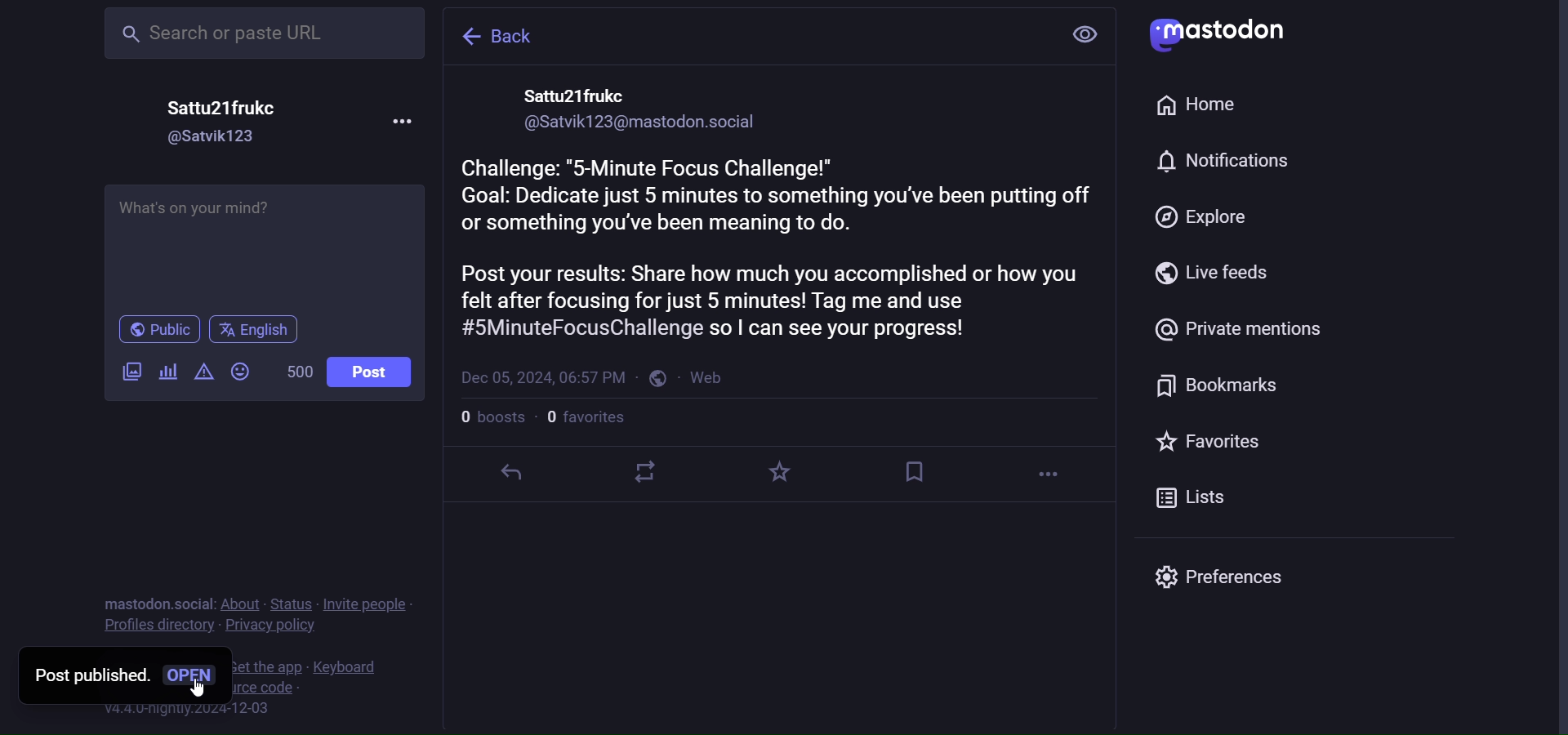 This screenshot has width=1568, height=735. I want to click on status, so click(294, 601).